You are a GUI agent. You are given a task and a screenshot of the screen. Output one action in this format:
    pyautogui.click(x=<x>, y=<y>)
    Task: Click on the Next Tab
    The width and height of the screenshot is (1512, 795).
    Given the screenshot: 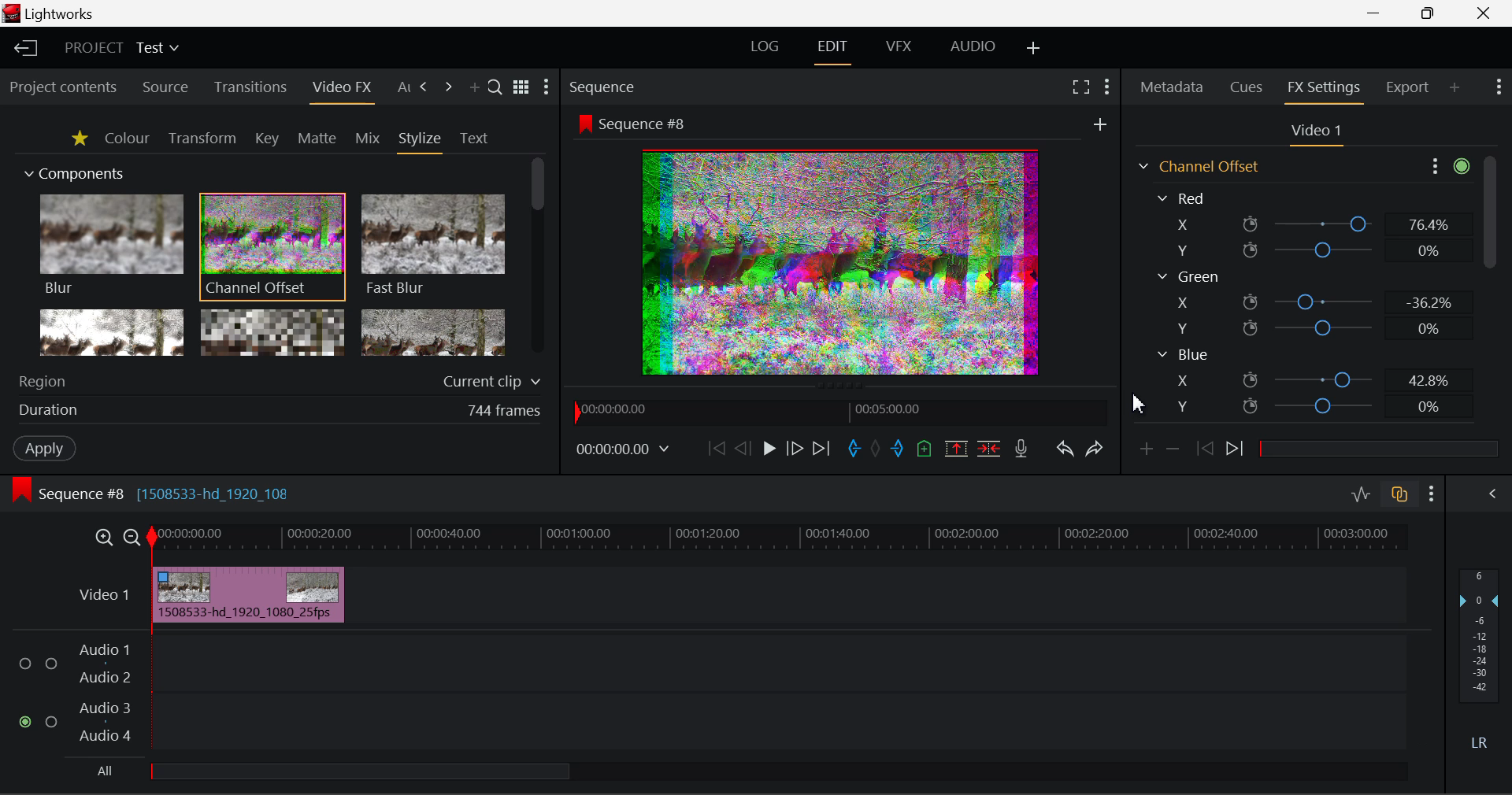 What is the action you would take?
    pyautogui.click(x=448, y=87)
    